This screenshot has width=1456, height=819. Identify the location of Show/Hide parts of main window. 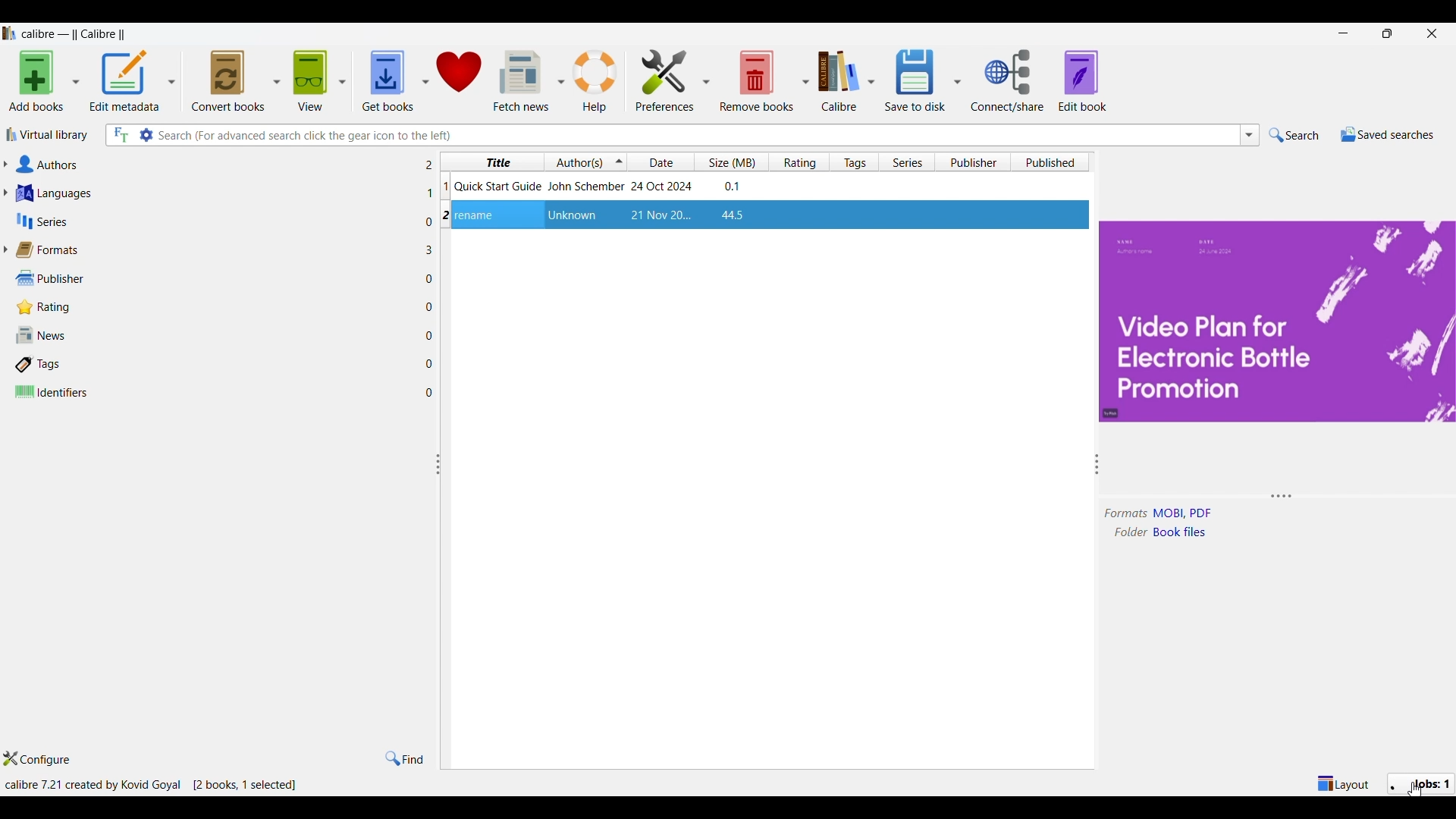
(1345, 784).